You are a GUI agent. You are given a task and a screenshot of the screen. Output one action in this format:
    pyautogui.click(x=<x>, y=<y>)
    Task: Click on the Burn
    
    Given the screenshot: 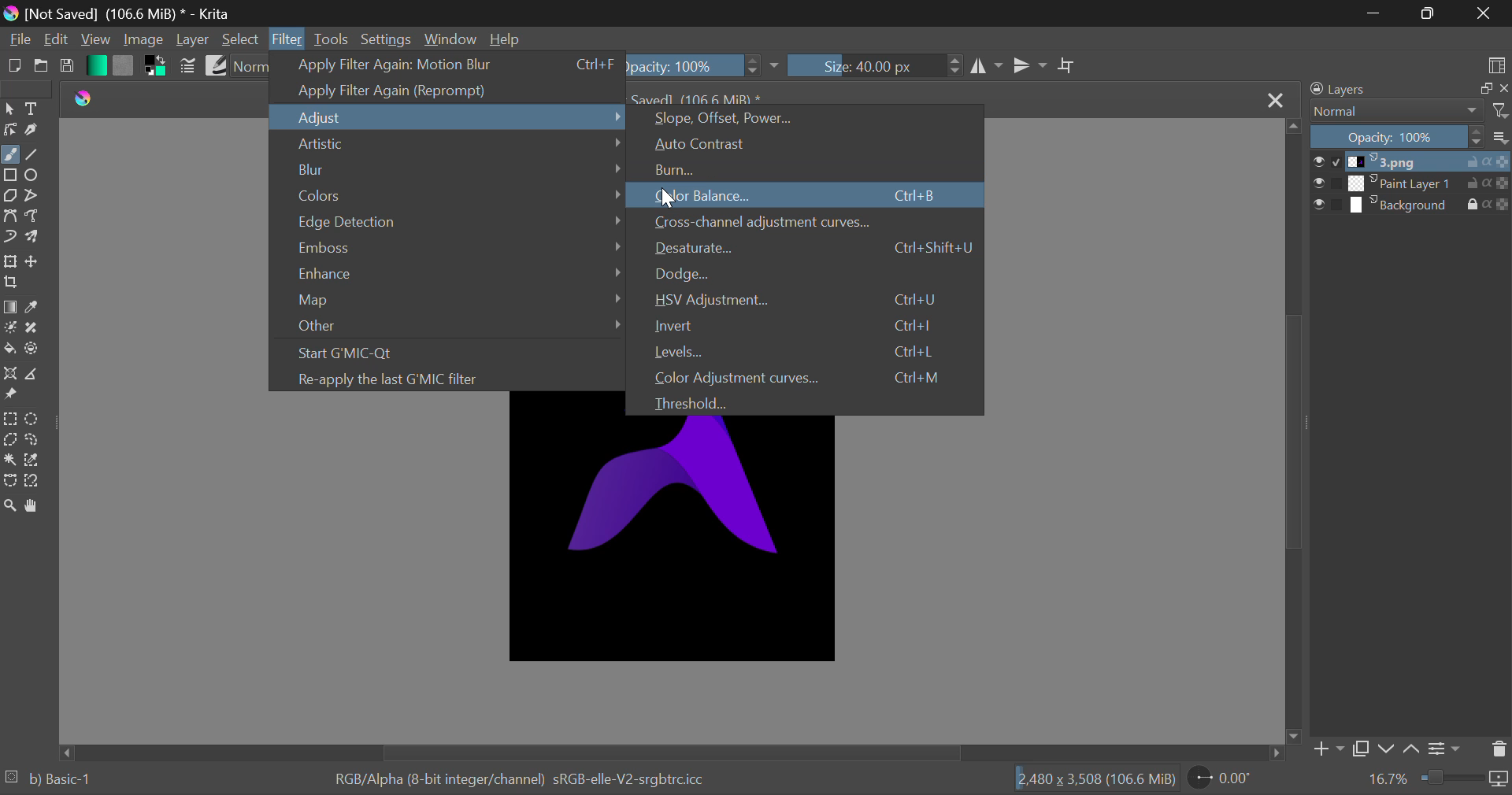 What is the action you would take?
    pyautogui.click(x=813, y=172)
    